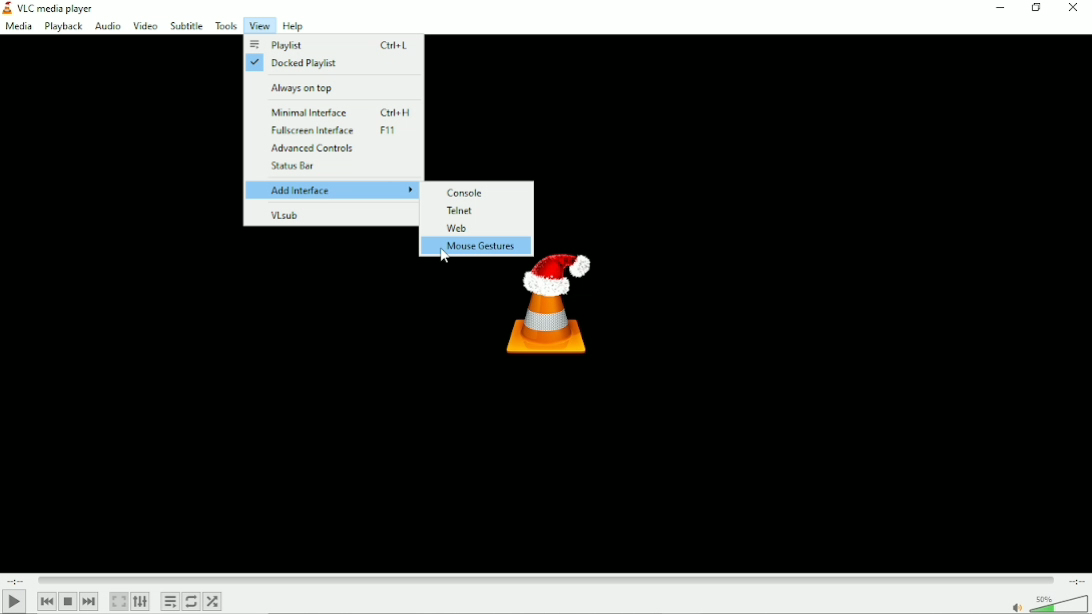 The width and height of the screenshot is (1092, 614). I want to click on Show extended settings, so click(139, 602).